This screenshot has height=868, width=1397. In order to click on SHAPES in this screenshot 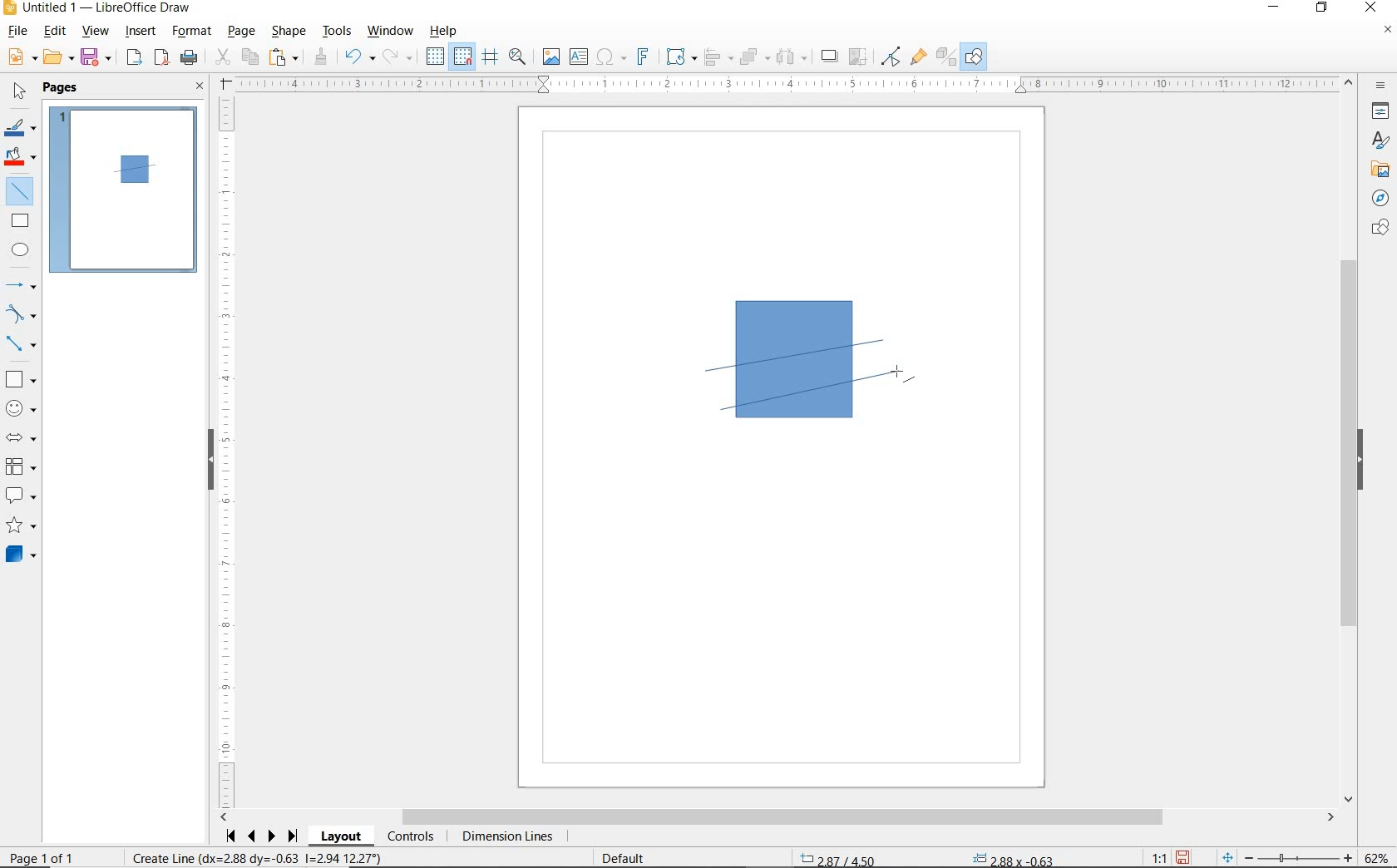, I will do `click(1378, 229)`.